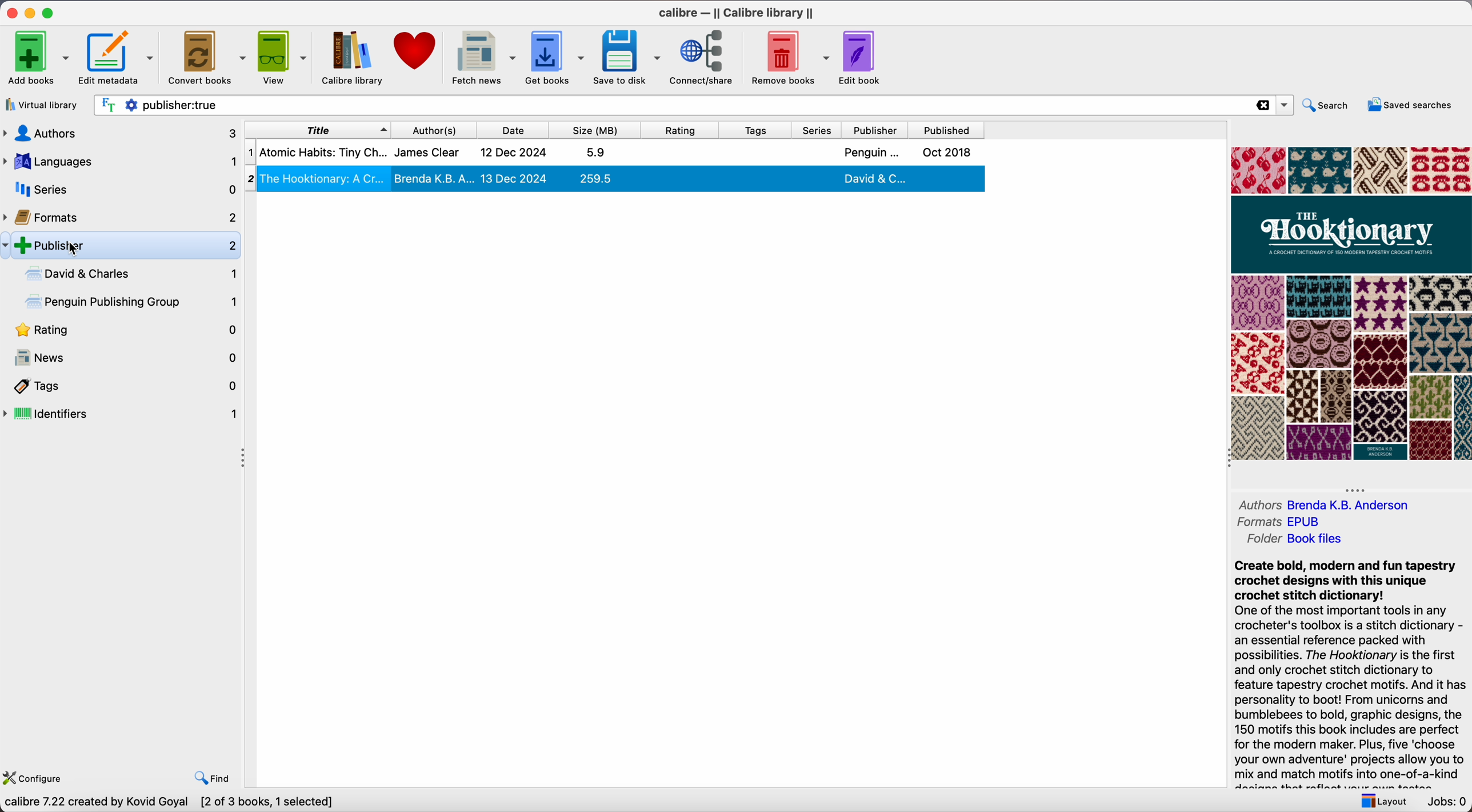  Describe the element at coordinates (129, 274) in the screenshot. I see `David & Charles` at that location.